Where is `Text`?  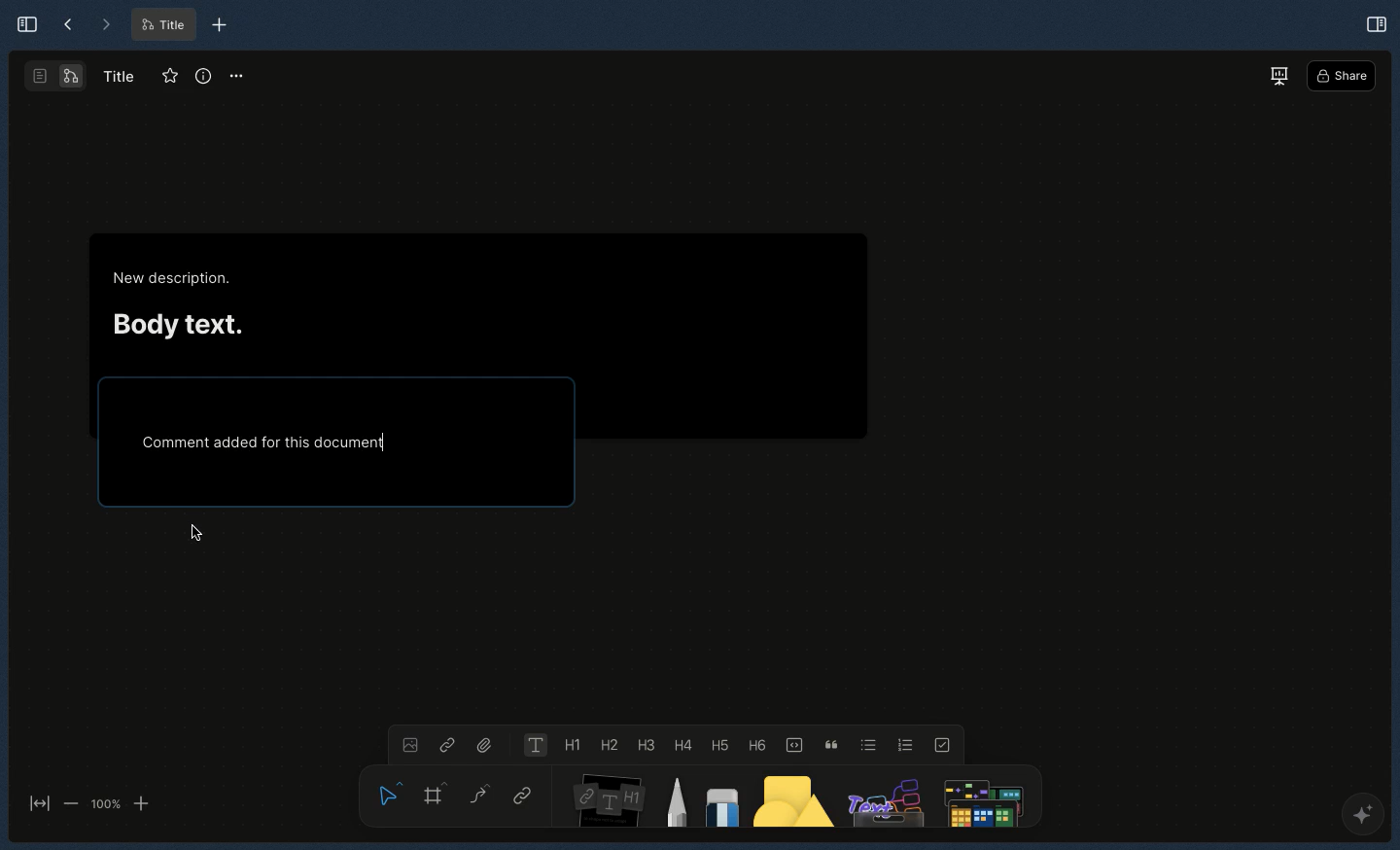
Text is located at coordinates (533, 745).